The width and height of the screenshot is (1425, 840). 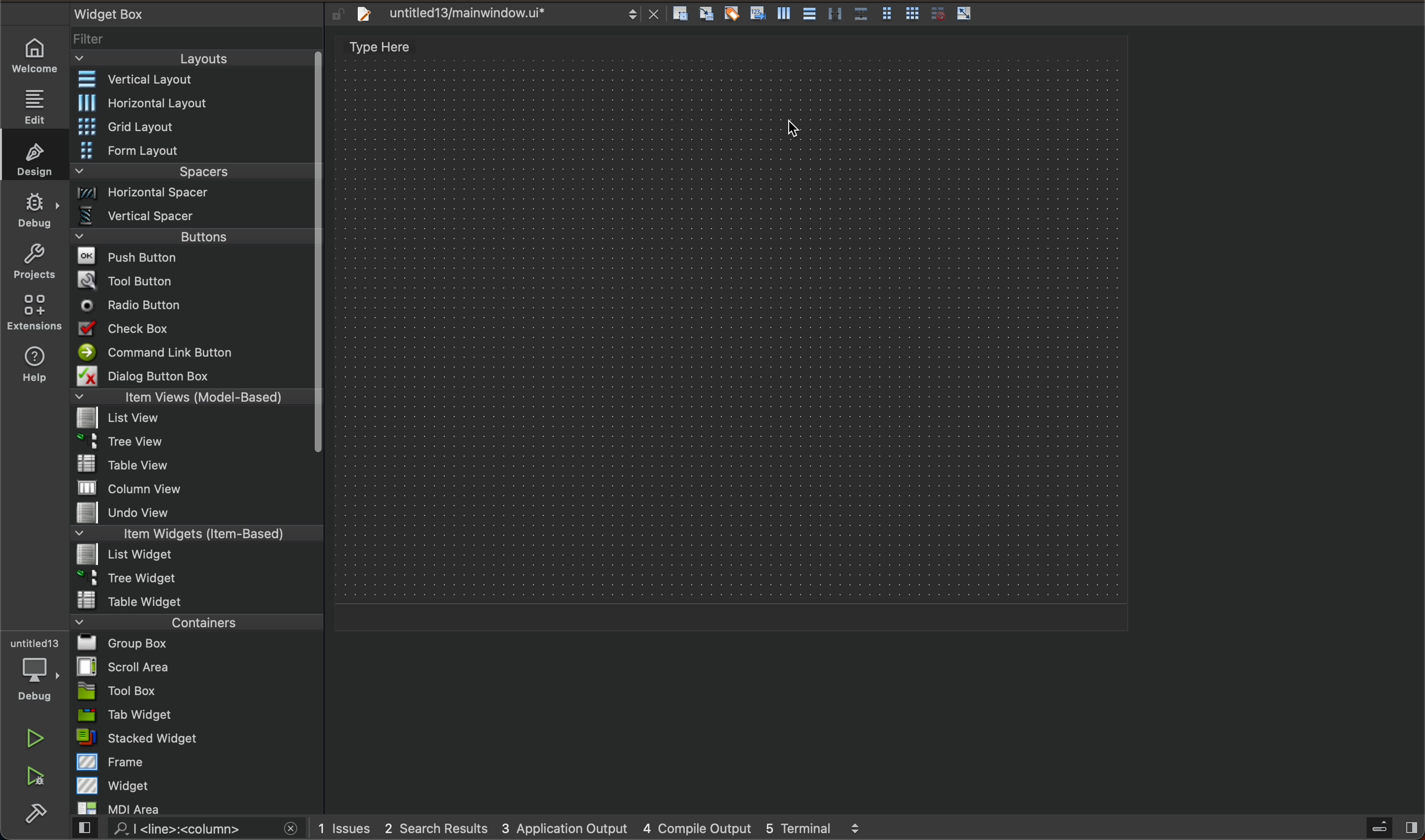 What do you see at coordinates (193, 397) in the screenshot?
I see `items view` at bounding box center [193, 397].